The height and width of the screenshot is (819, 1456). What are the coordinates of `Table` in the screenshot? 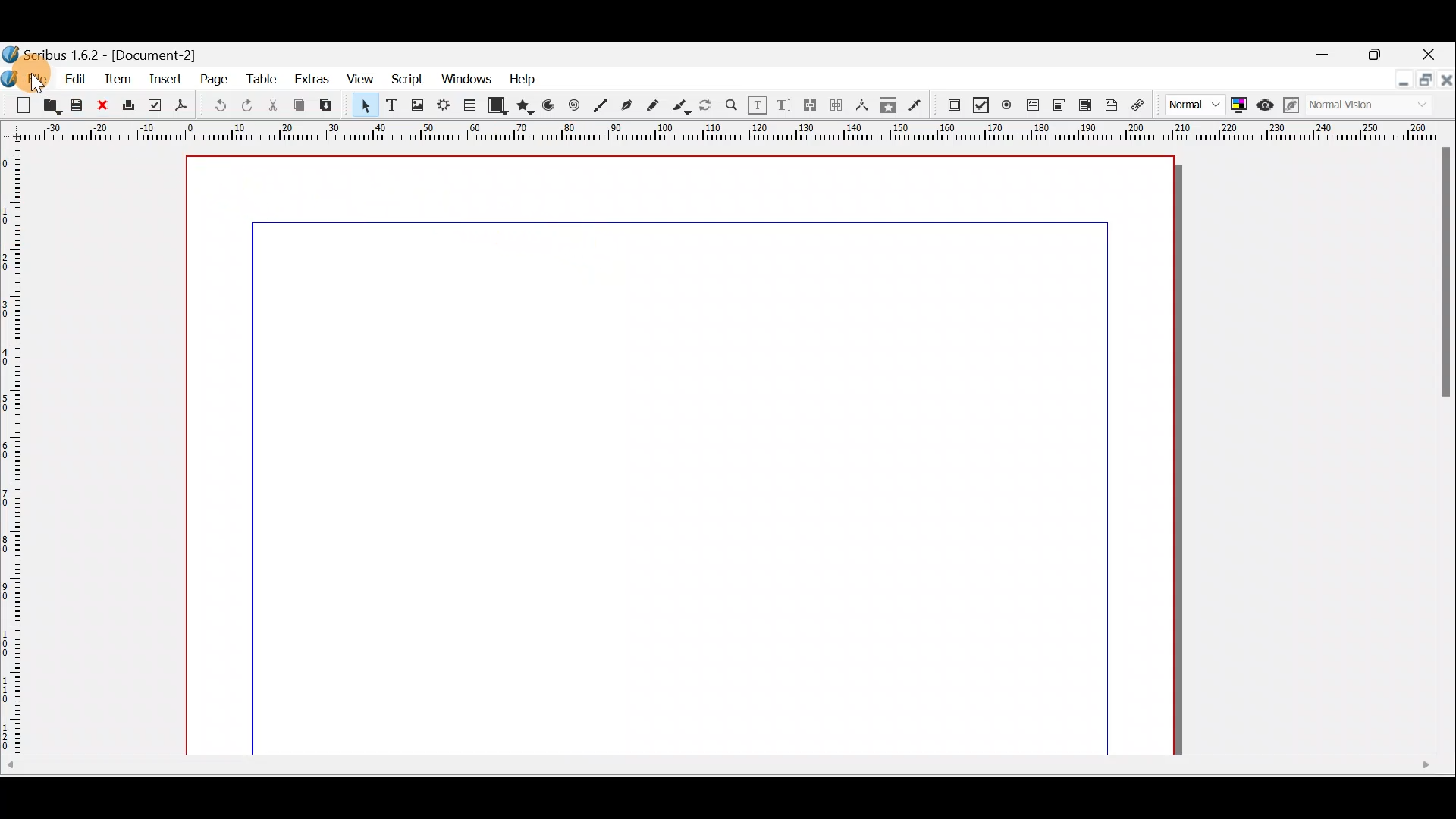 It's located at (265, 78).